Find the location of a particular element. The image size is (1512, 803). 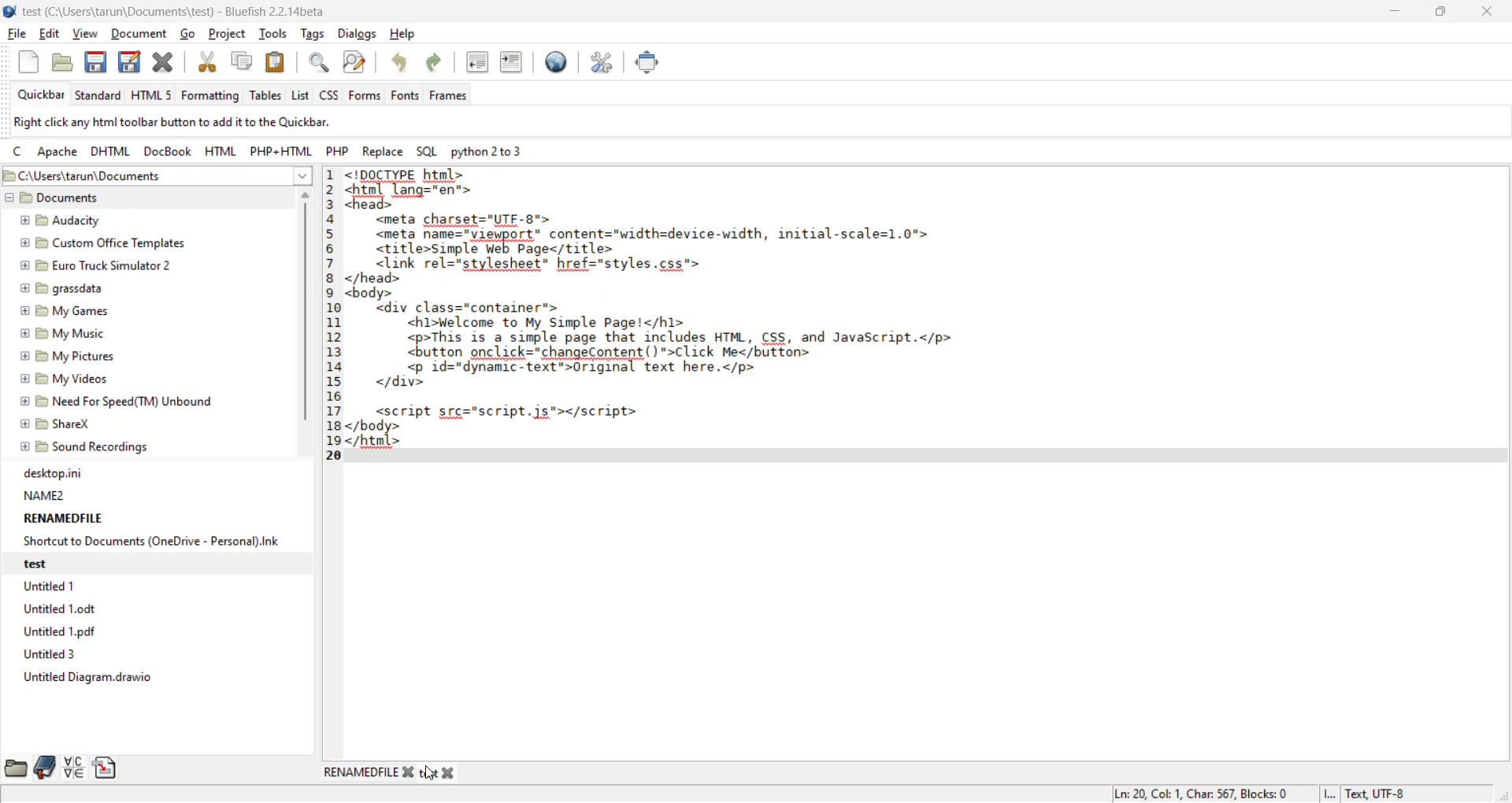

help is located at coordinates (406, 37).